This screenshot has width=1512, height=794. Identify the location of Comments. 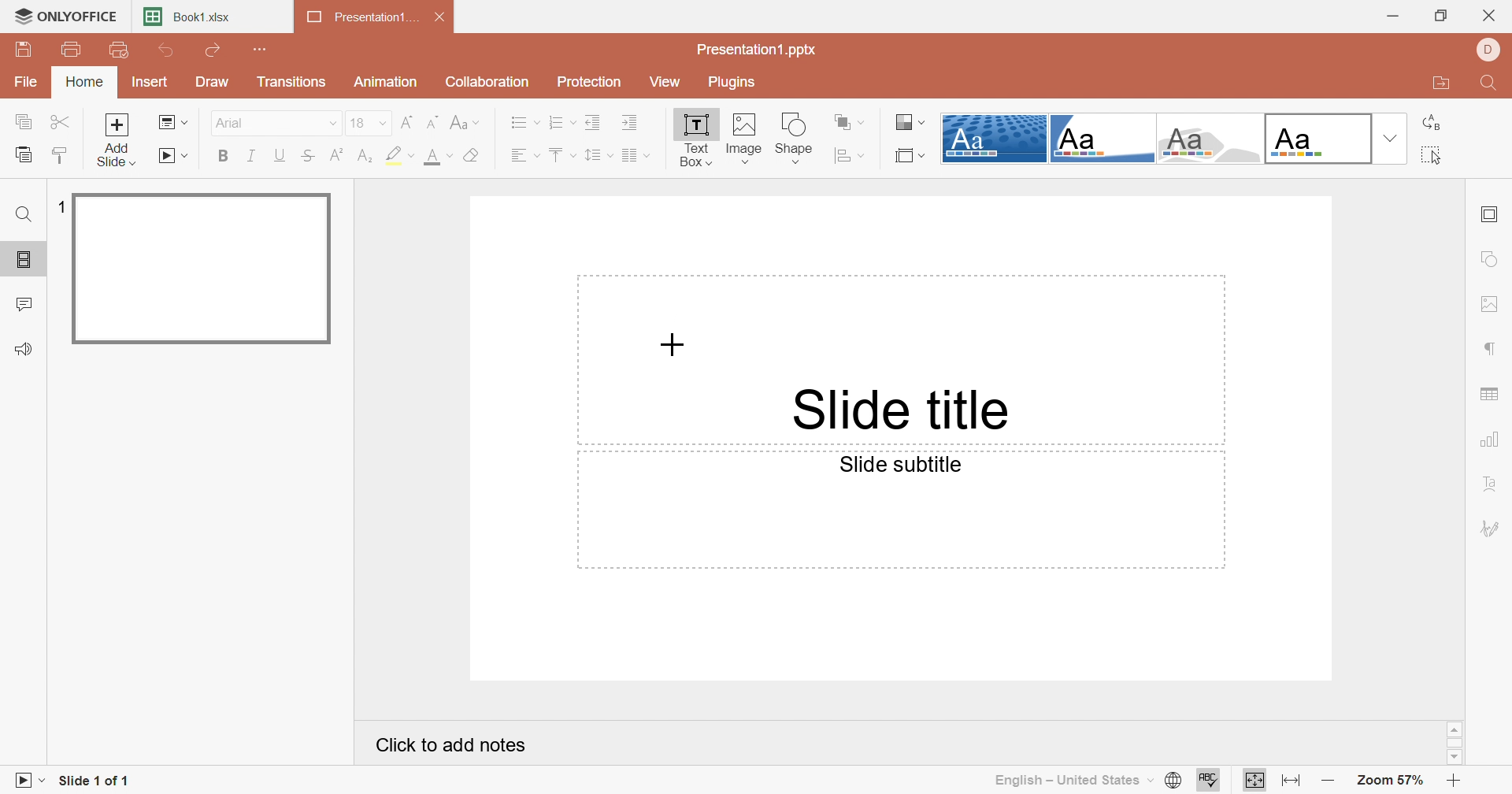
(26, 302).